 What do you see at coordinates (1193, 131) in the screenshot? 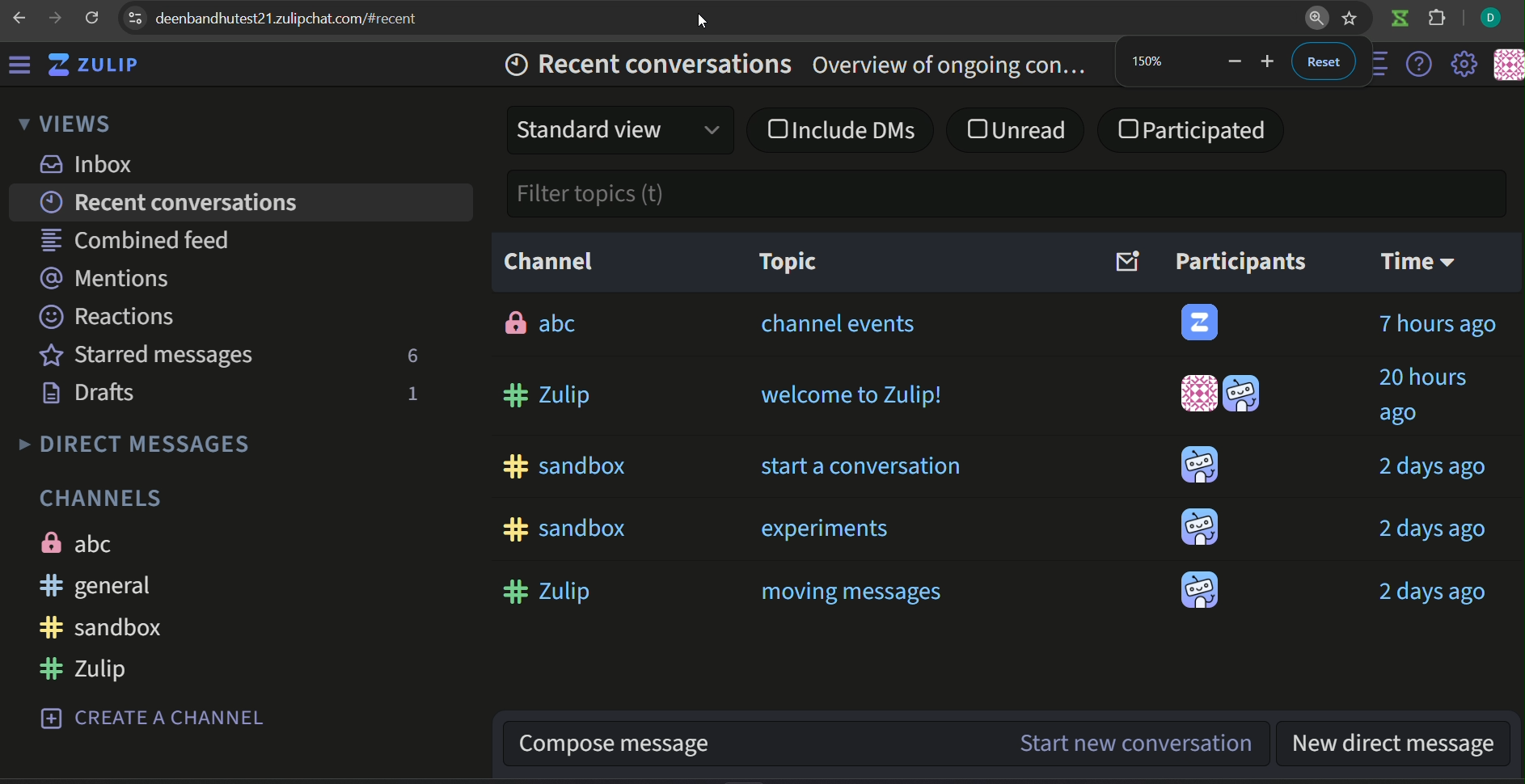
I see `Participated` at bounding box center [1193, 131].